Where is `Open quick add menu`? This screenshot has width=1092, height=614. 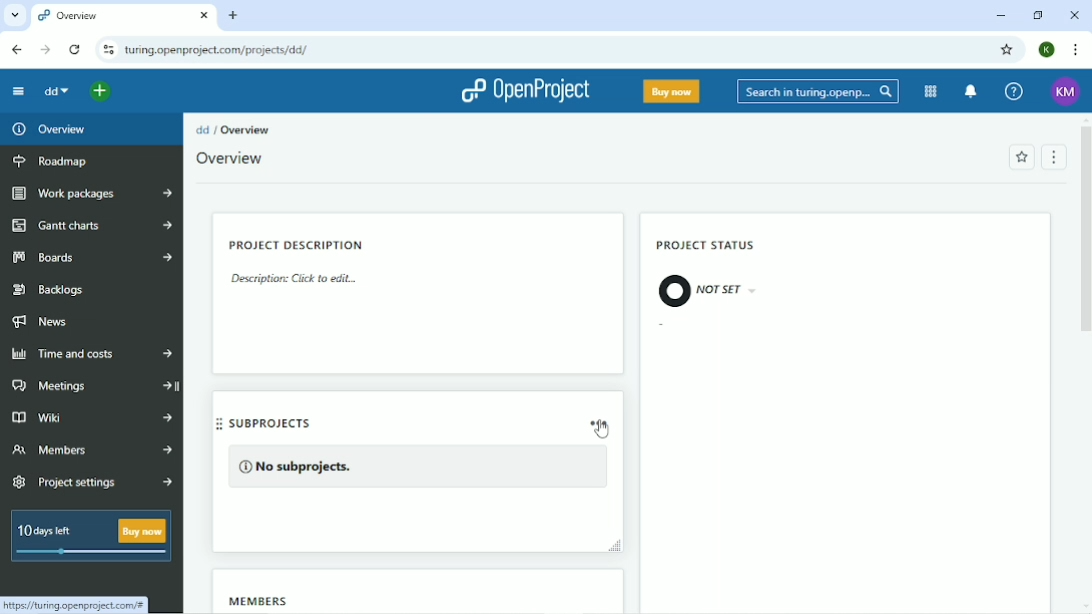 Open quick add menu is located at coordinates (101, 91).